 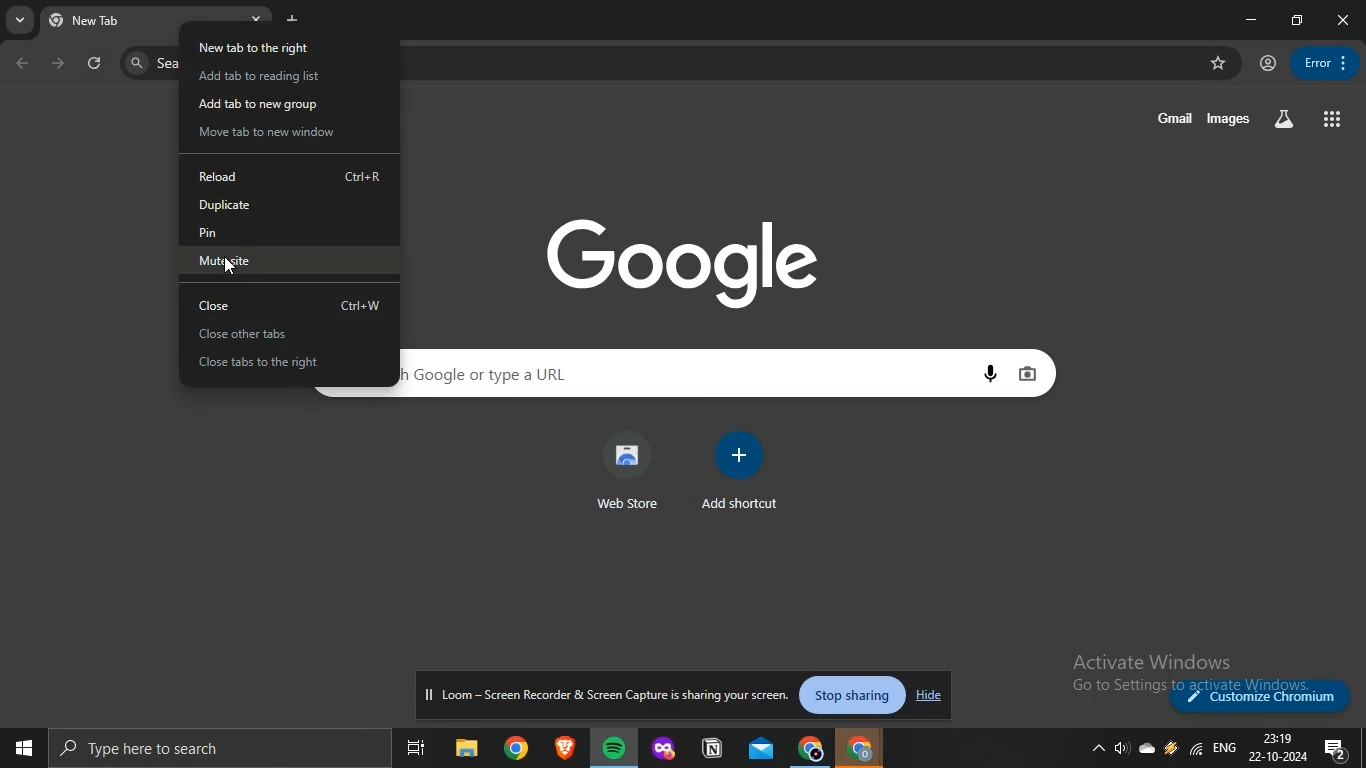 What do you see at coordinates (1225, 748) in the screenshot?
I see `english` at bounding box center [1225, 748].